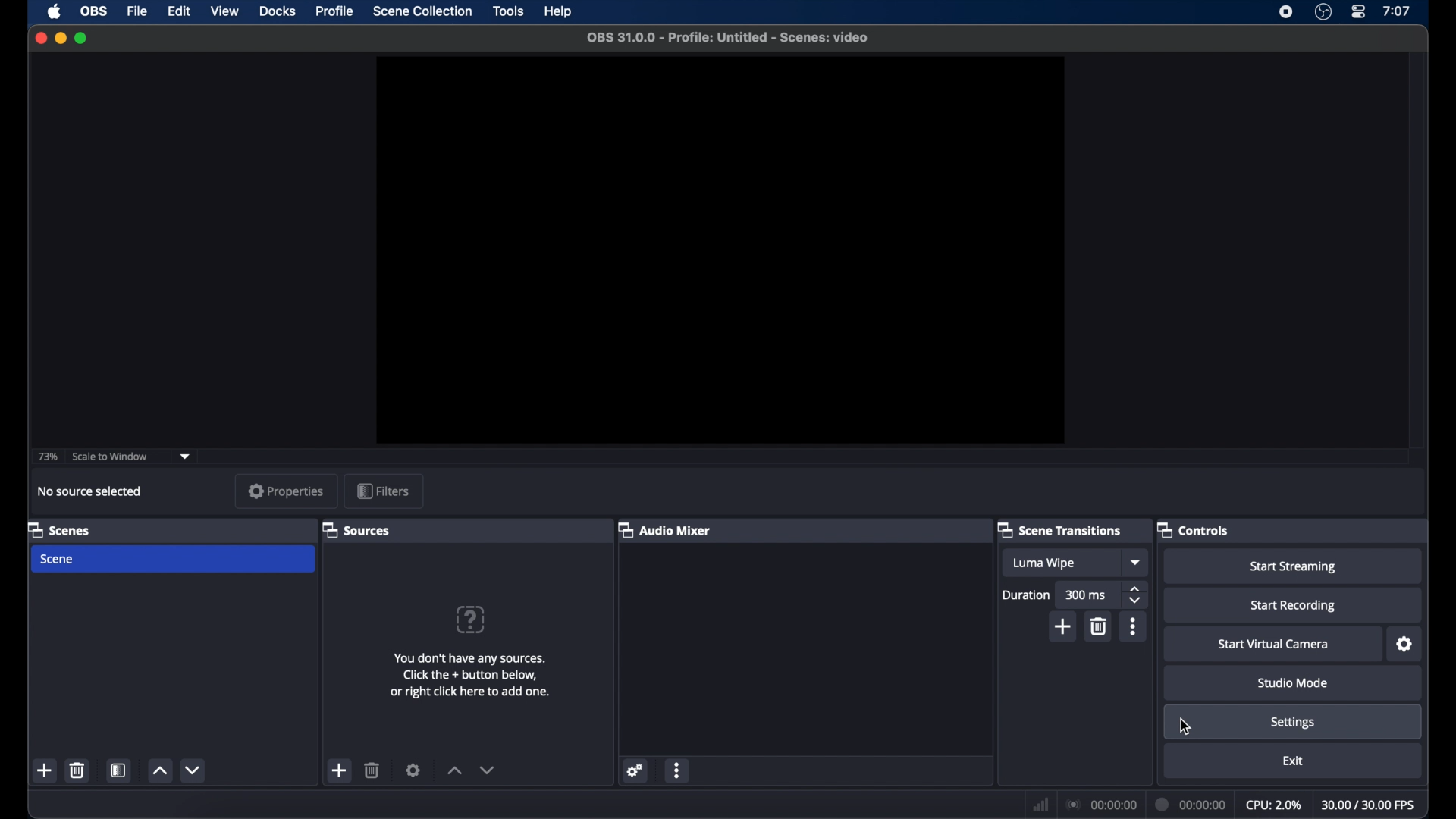 Image resolution: width=1456 pixels, height=819 pixels. What do you see at coordinates (337, 12) in the screenshot?
I see `profile` at bounding box center [337, 12].